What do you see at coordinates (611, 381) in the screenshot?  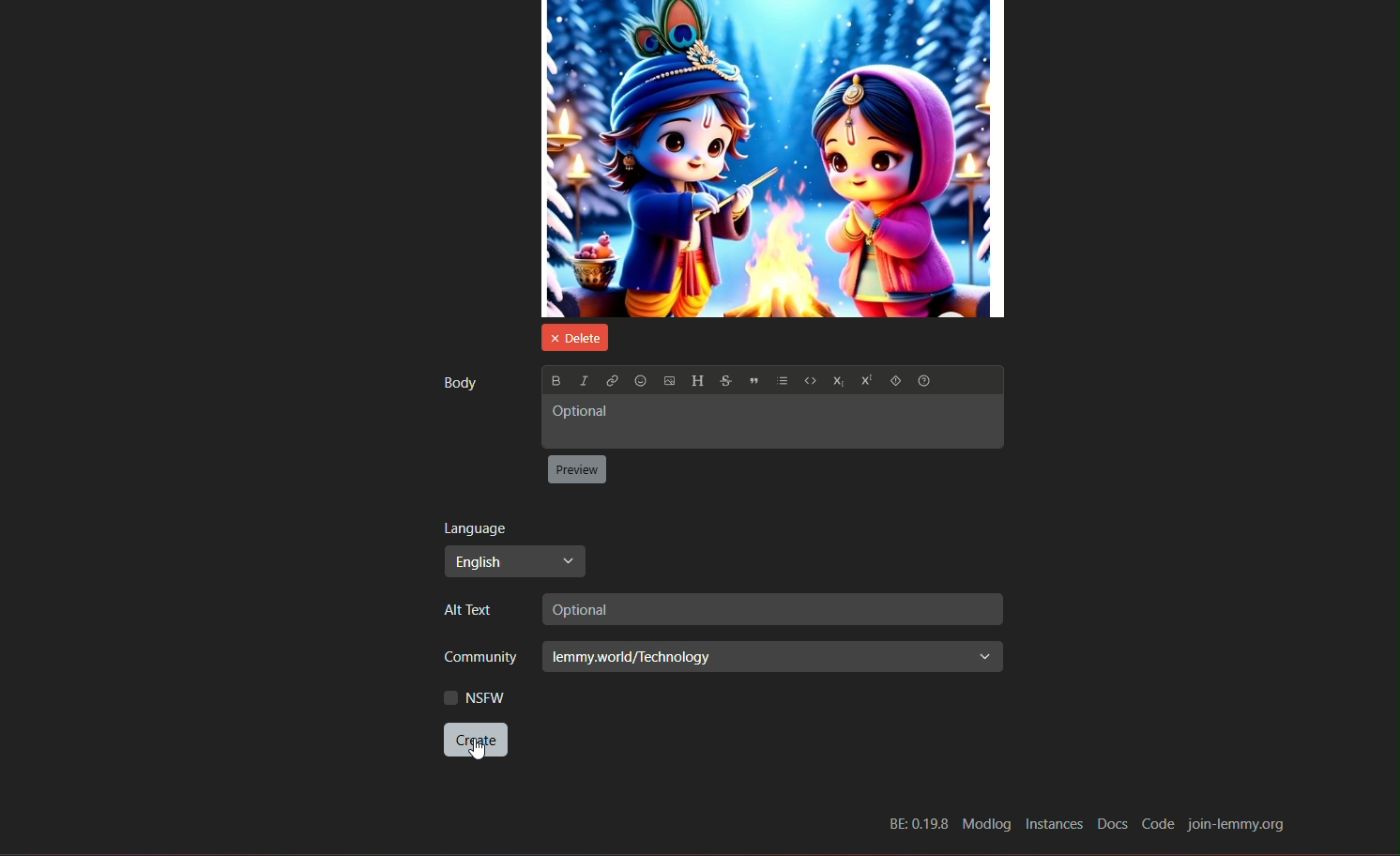 I see `link` at bounding box center [611, 381].